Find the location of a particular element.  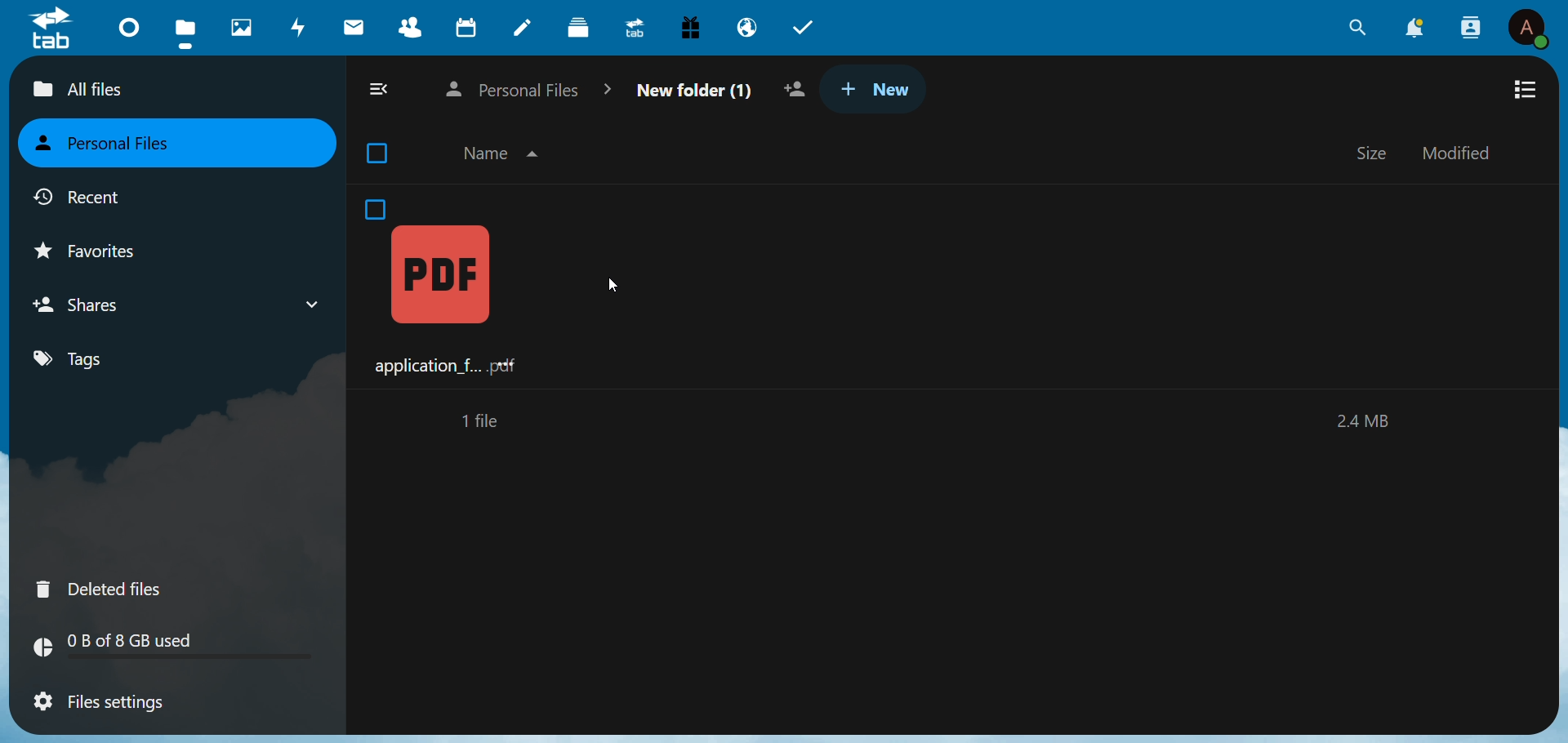

select is located at coordinates (381, 153).